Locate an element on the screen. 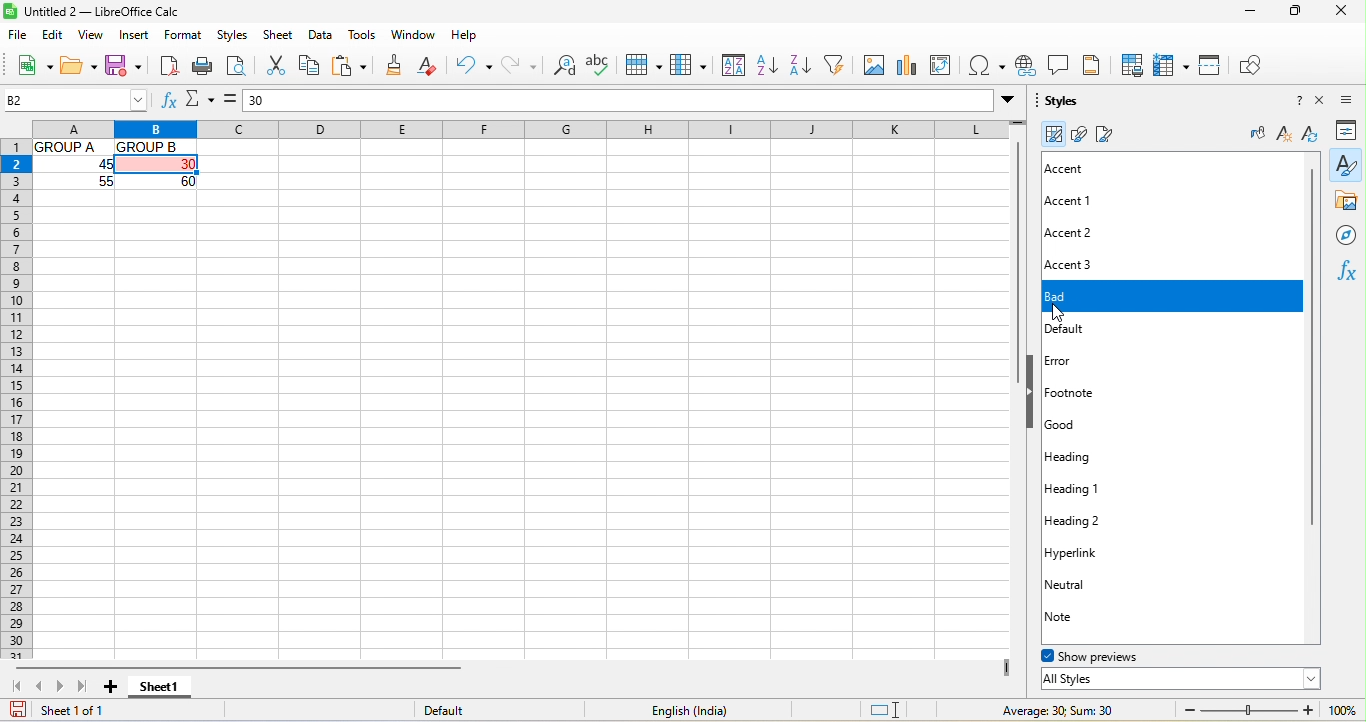 This screenshot has height=722, width=1366. close is located at coordinates (1325, 102).